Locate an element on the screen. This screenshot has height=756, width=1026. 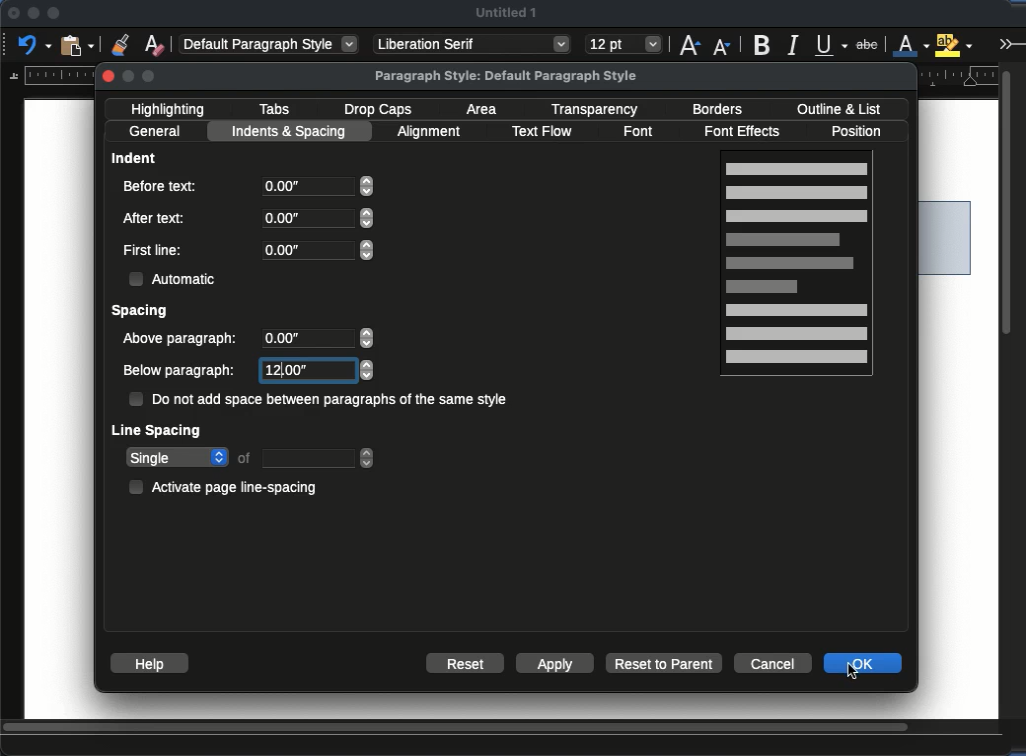
paragraph style: default paragraph style is located at coordinates (507, 76).